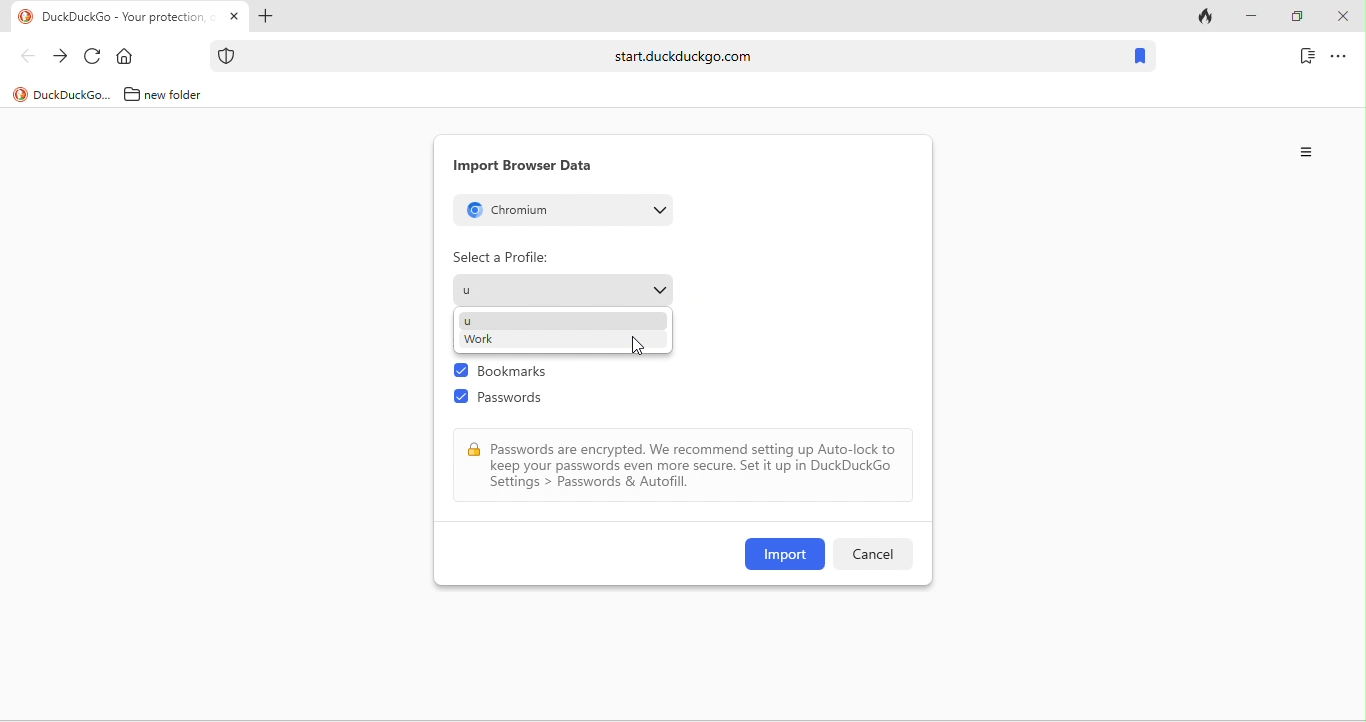 Image resolution: width=1366 pixels, height=722 pixels. I want to click on Lock icon, so click(474, 450).